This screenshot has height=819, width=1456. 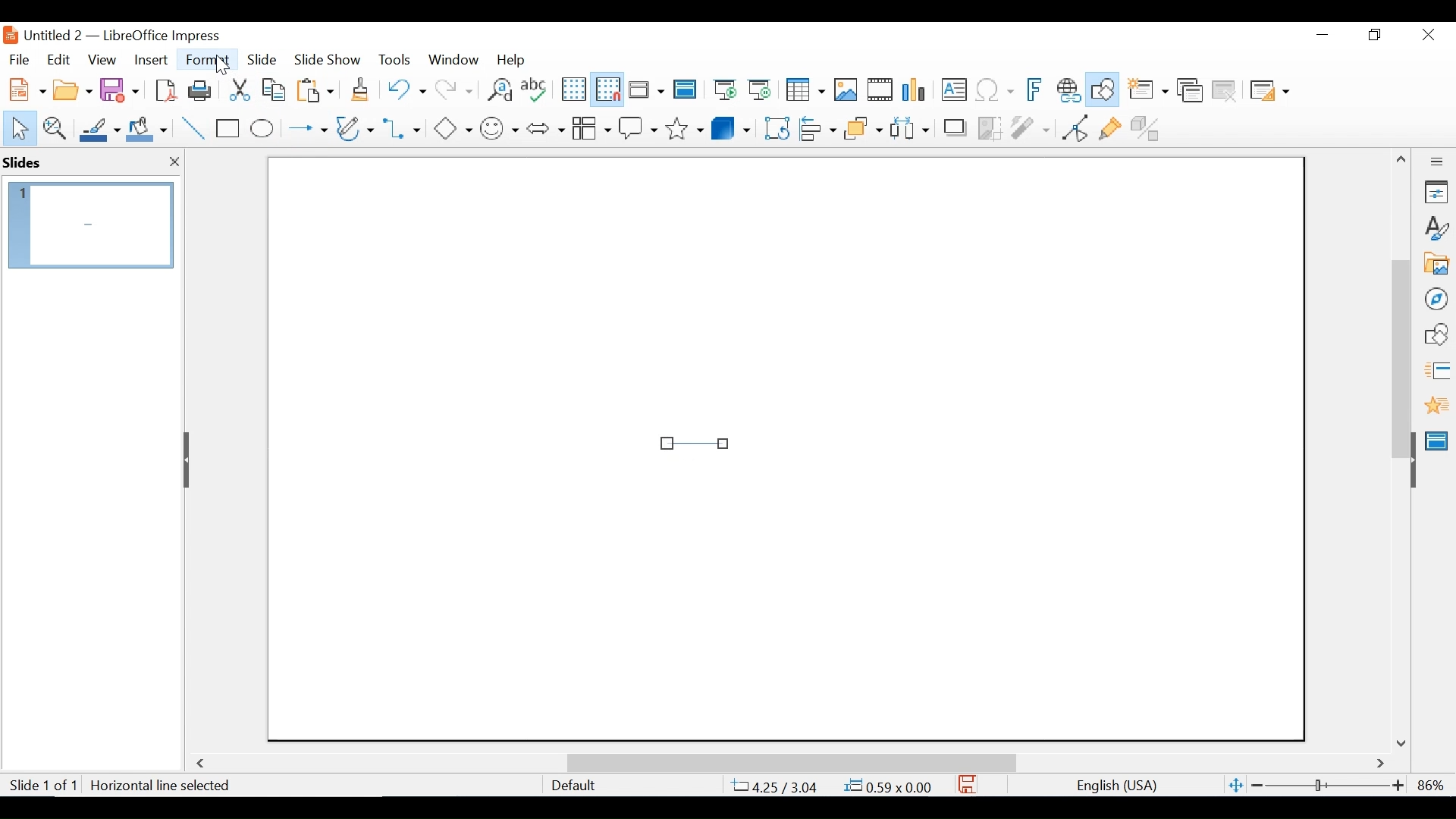 I want to click on Insert Special Characters, so click(x=995, y=91).